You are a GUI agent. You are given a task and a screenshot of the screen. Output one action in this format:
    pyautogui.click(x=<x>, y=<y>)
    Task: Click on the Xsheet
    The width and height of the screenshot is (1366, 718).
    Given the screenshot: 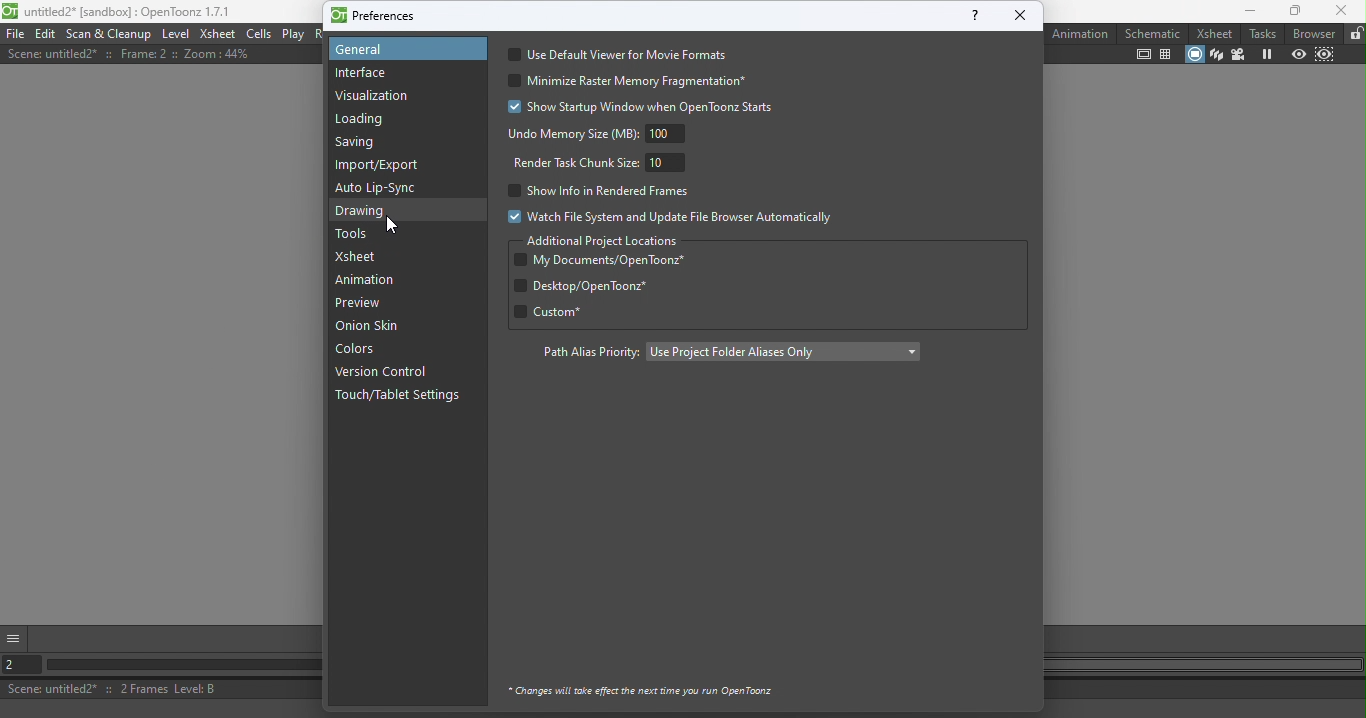 What is the action you would take?
    pyautogui.click(x=218, y=33)
    